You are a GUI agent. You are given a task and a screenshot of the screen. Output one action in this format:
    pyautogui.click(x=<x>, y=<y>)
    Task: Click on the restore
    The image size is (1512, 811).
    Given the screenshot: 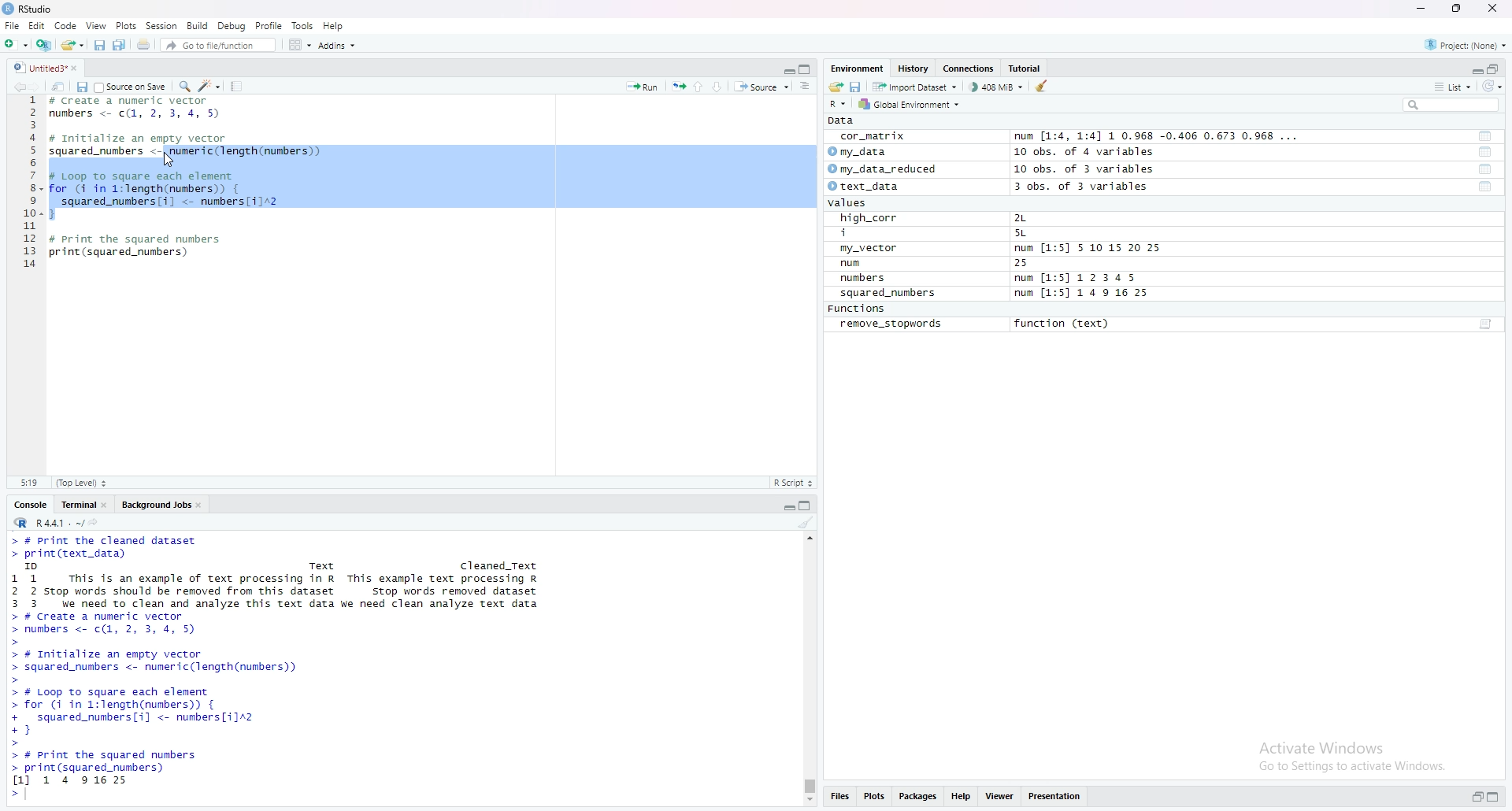 What is the action you would take?
    pyautogui.click(x=1477, y=798)
    